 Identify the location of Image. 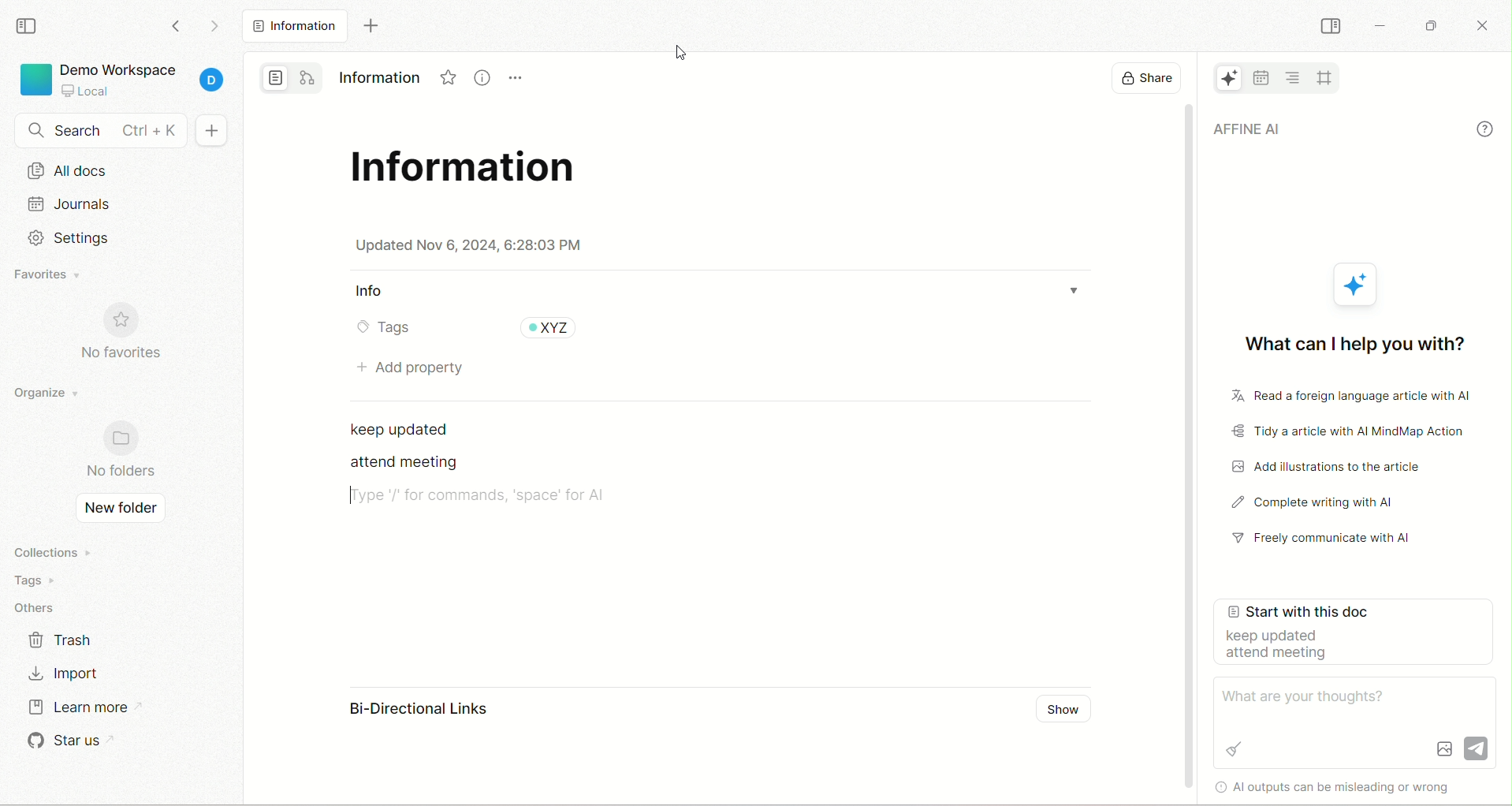
(1443, 748).